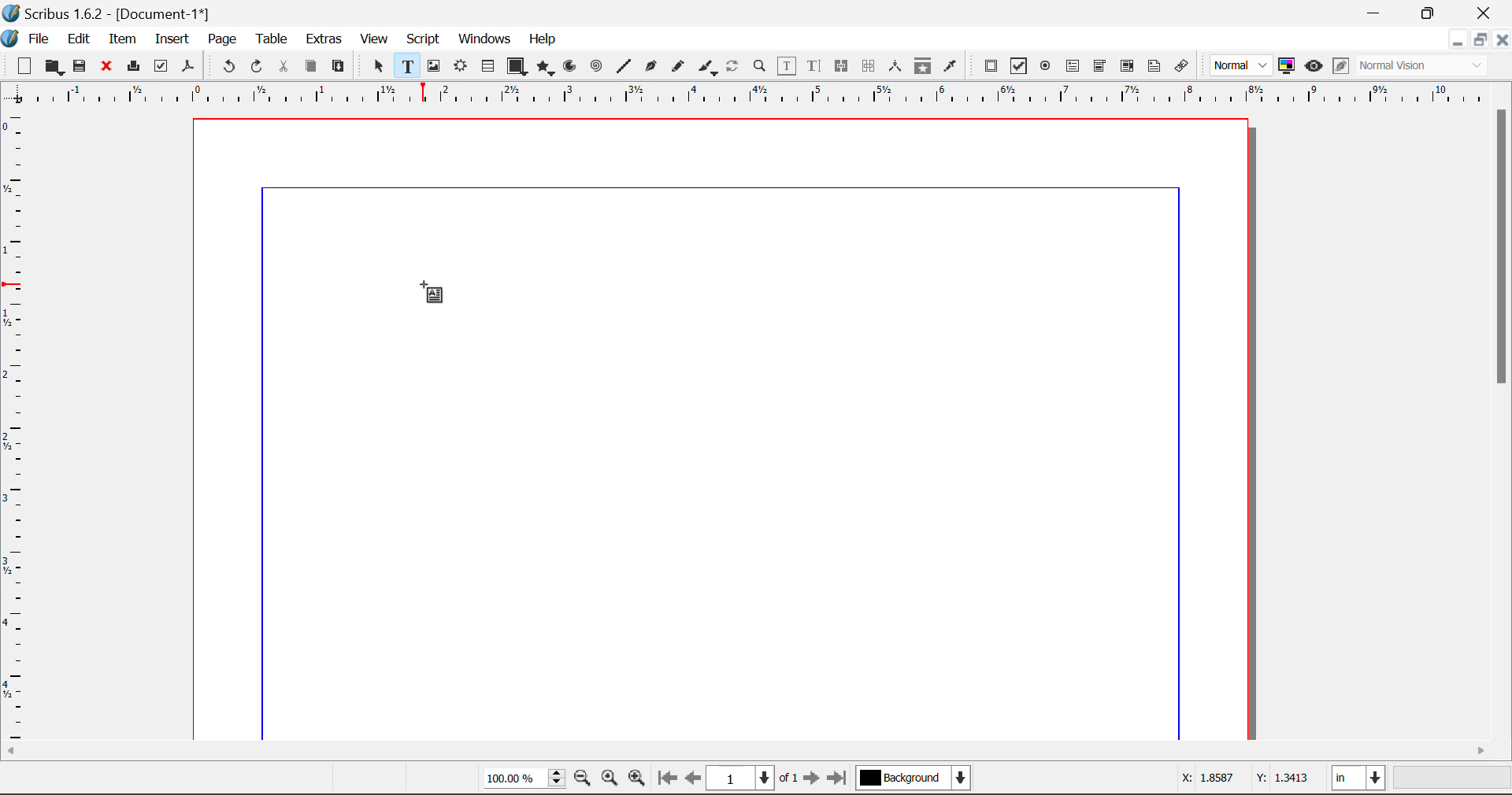 This screenshot has width=1512, height=795. Describe the element at coordinates (733, 65) in the screenshot. I see `Rotate` at that location.